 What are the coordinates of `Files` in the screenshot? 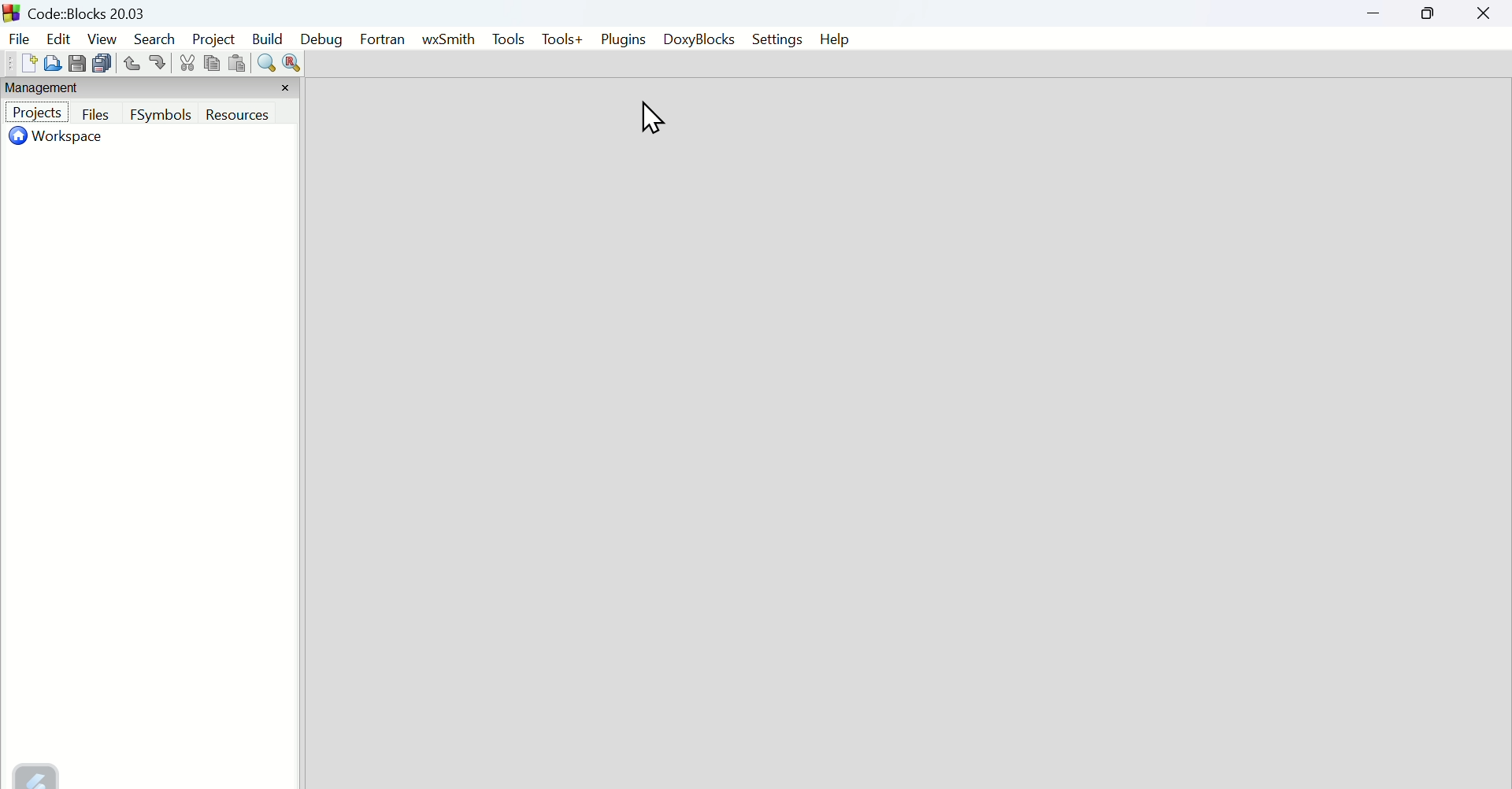 It's located at (98, 114).